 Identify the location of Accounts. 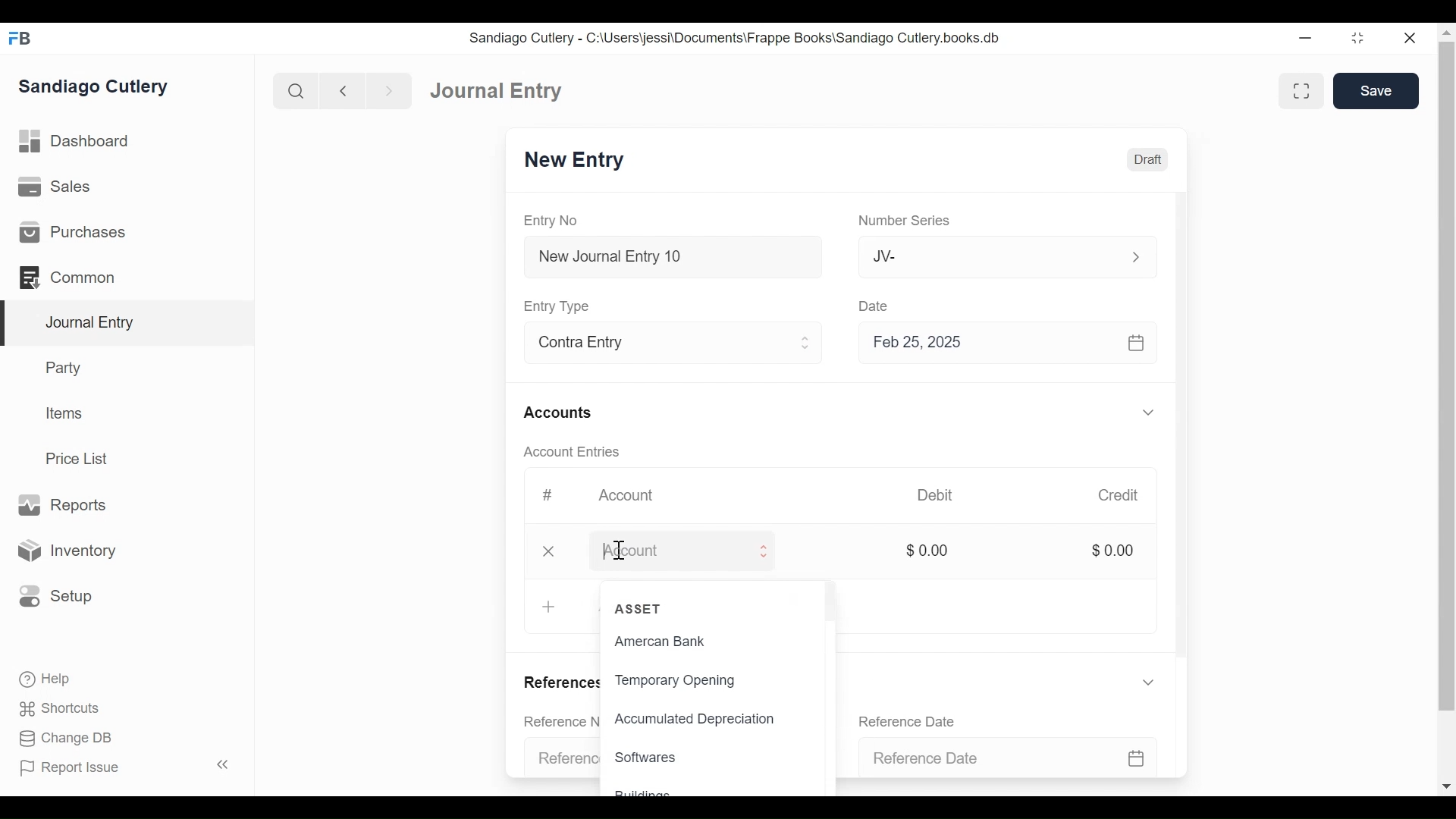
(564, 411).